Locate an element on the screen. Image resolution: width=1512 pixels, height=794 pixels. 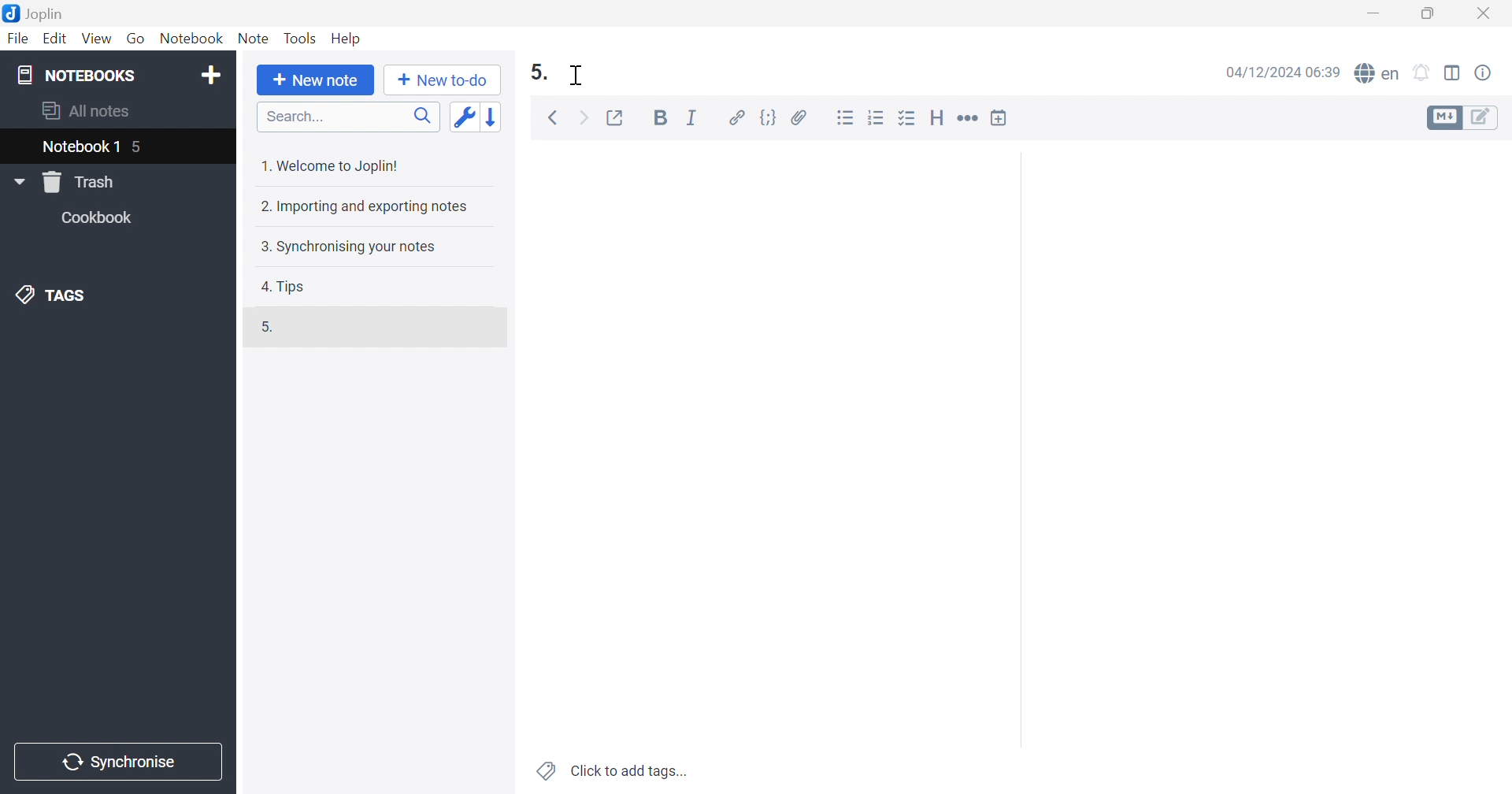
Bulleted list is located at coordinates (845, 118).